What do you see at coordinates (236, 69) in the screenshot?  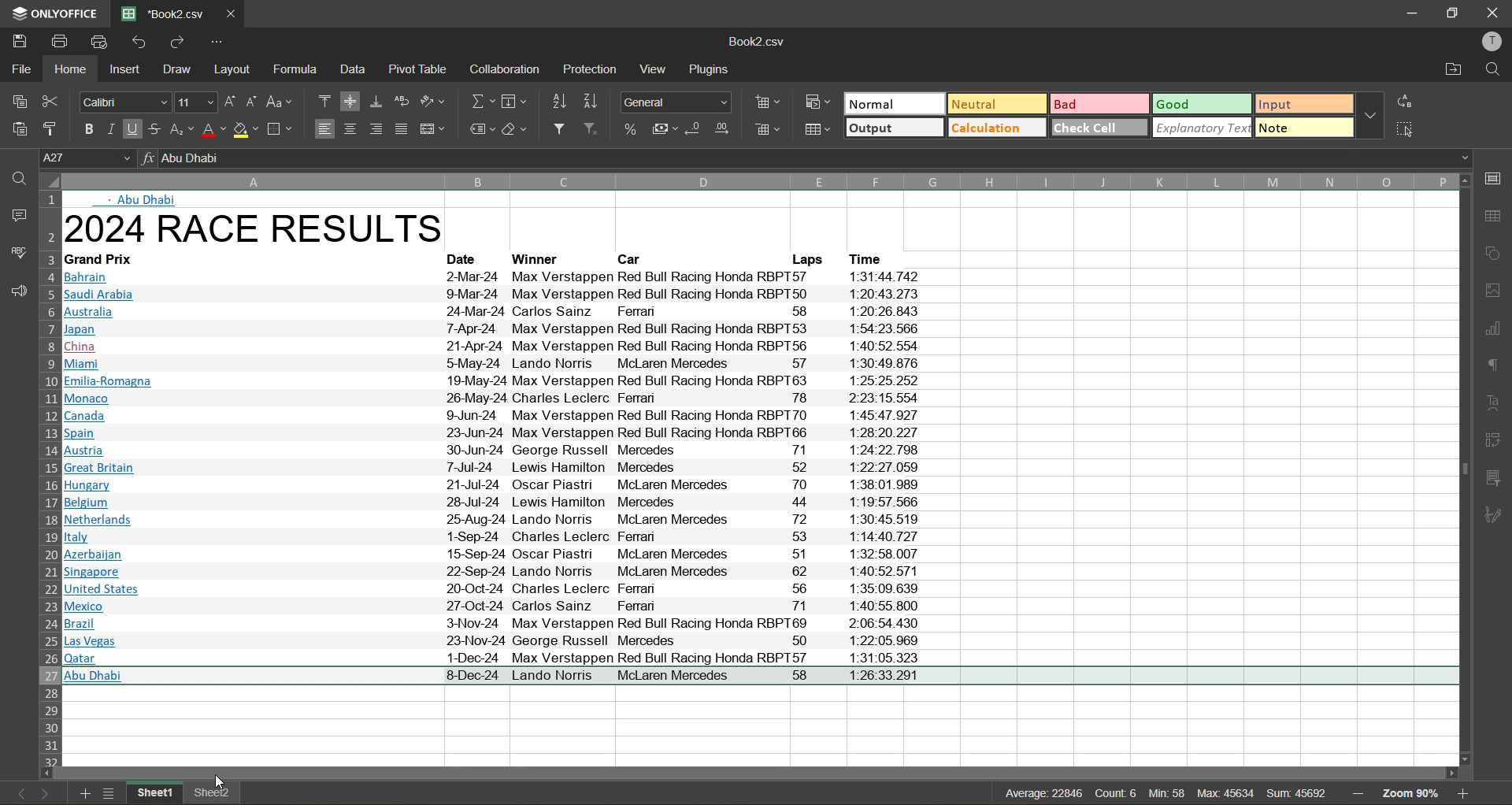 I see `layout` at bounding box center [236, 69].